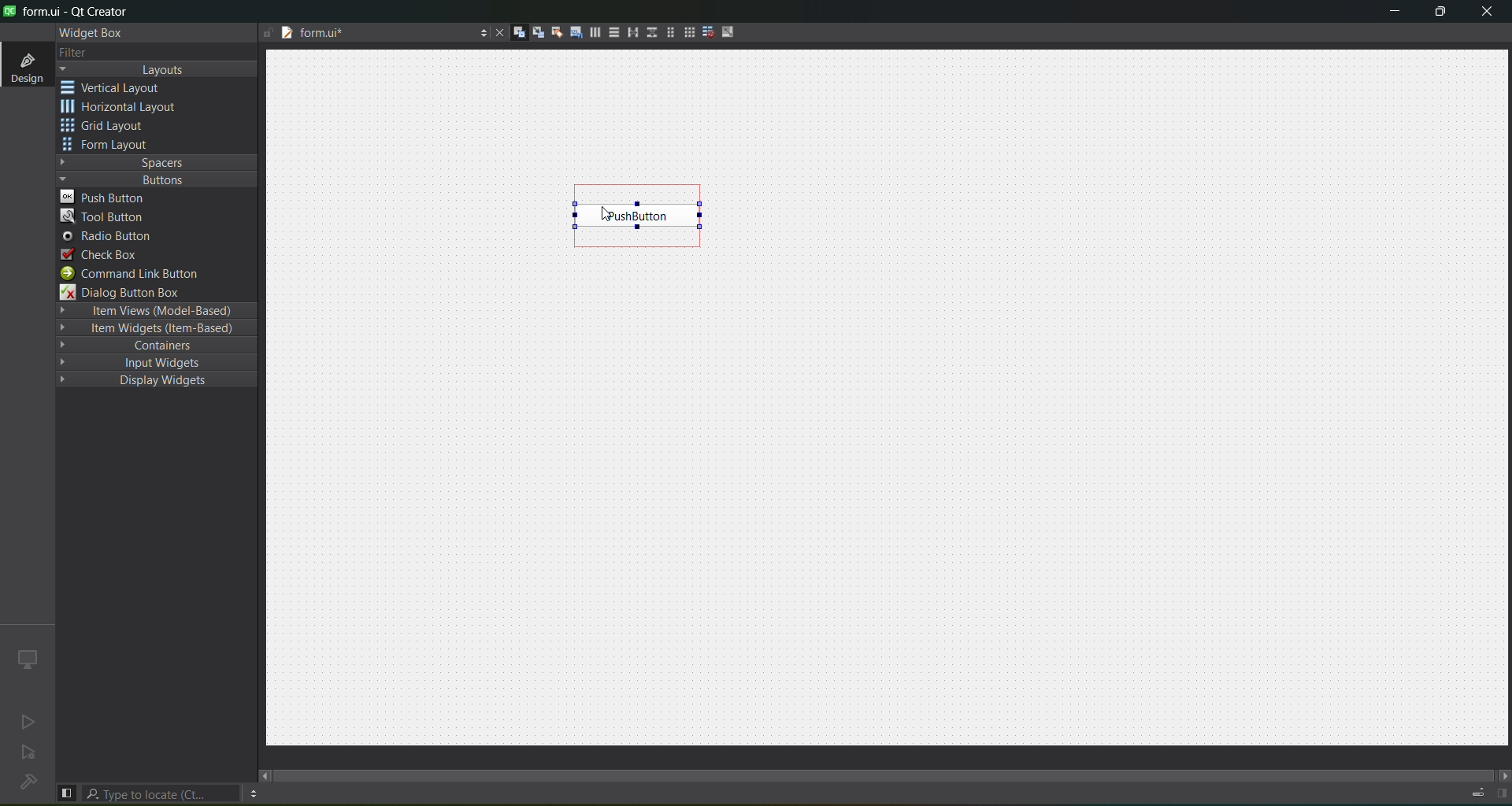 This screenshot has height=806, width=1512. I want to click on vertical layout, so click(613, 32).